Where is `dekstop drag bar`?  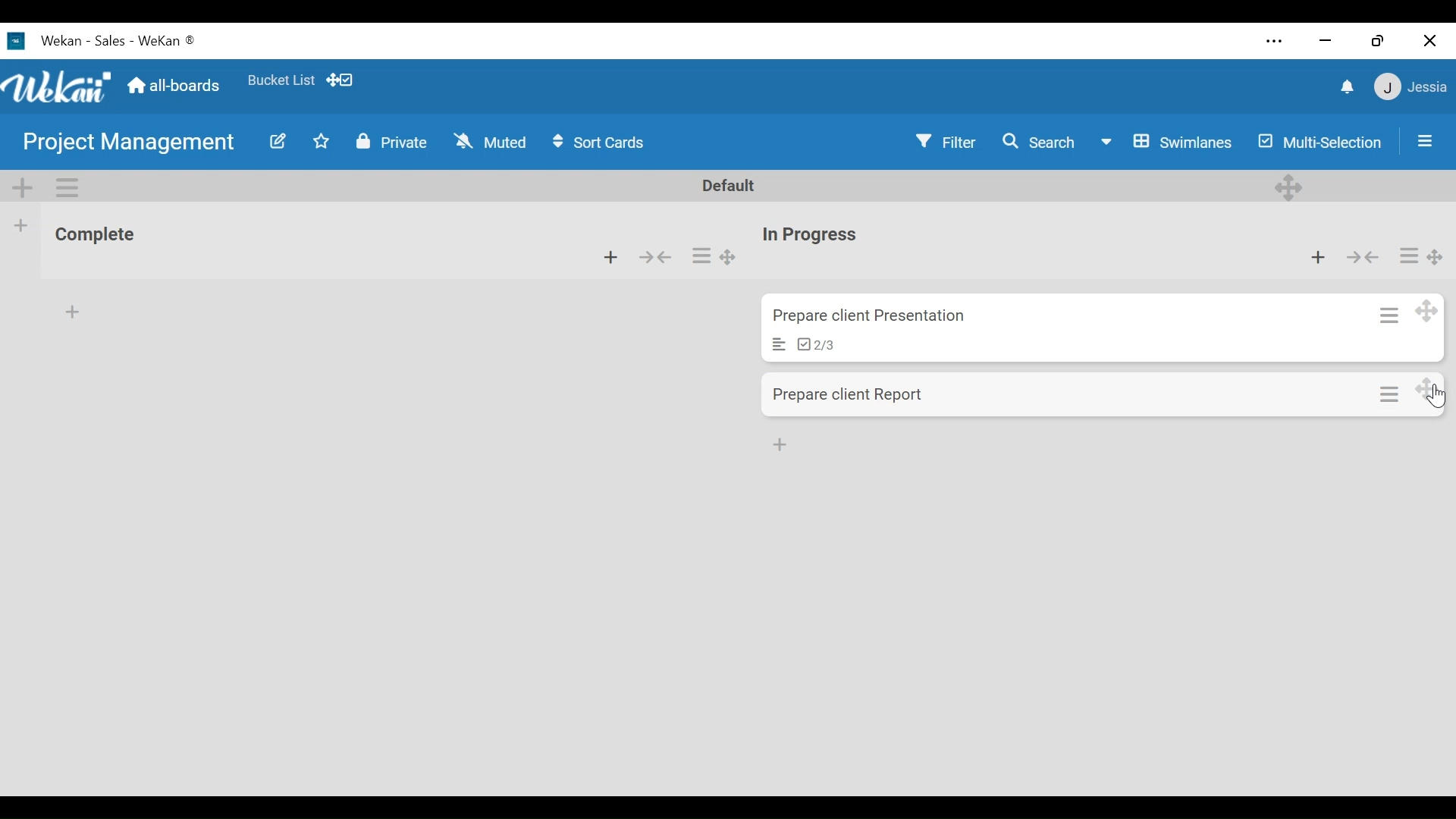
dekstop drag bar is located at coordinates (347, 80).